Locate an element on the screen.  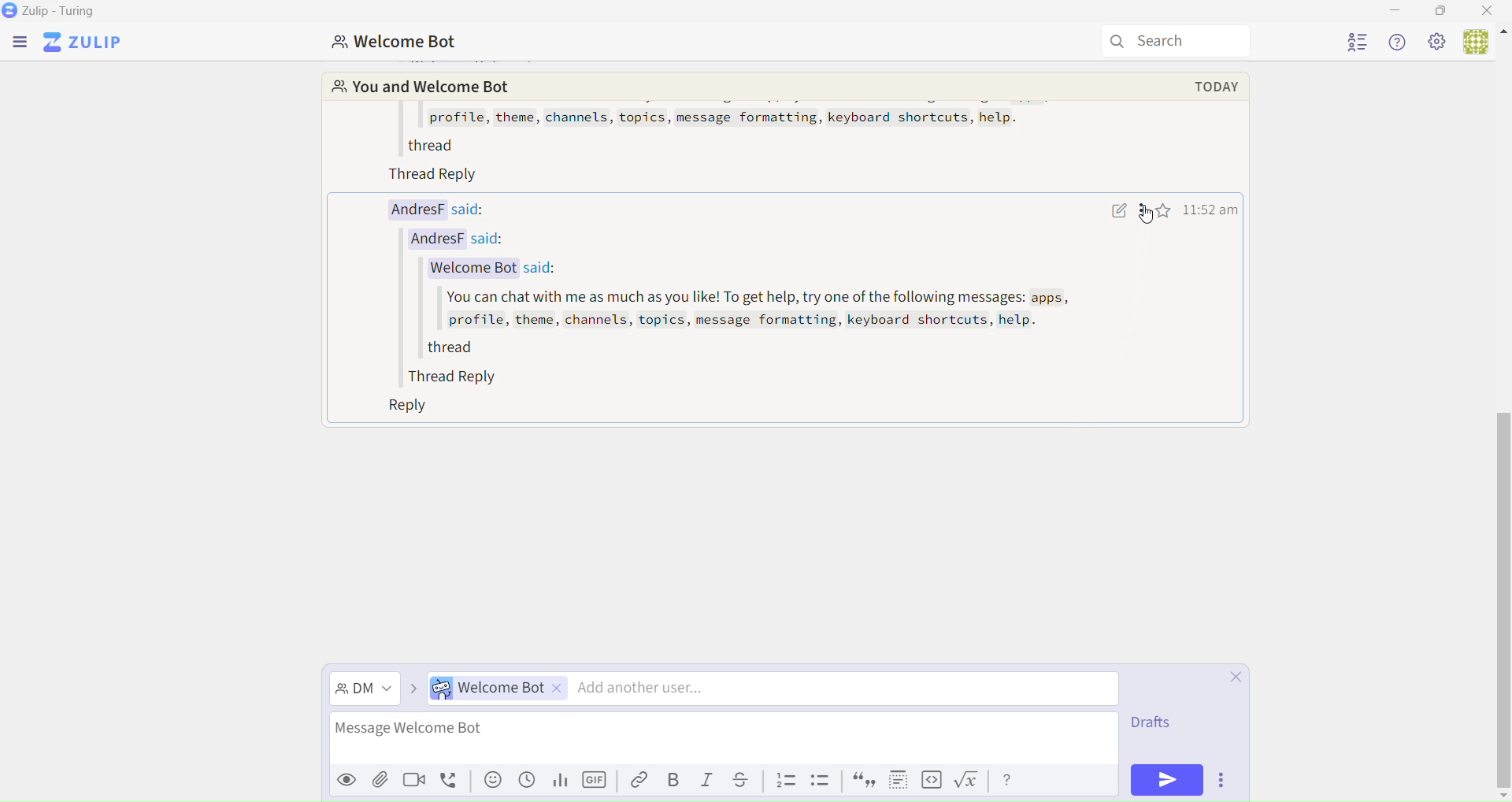
Preview is located at coordinates (348, 779).